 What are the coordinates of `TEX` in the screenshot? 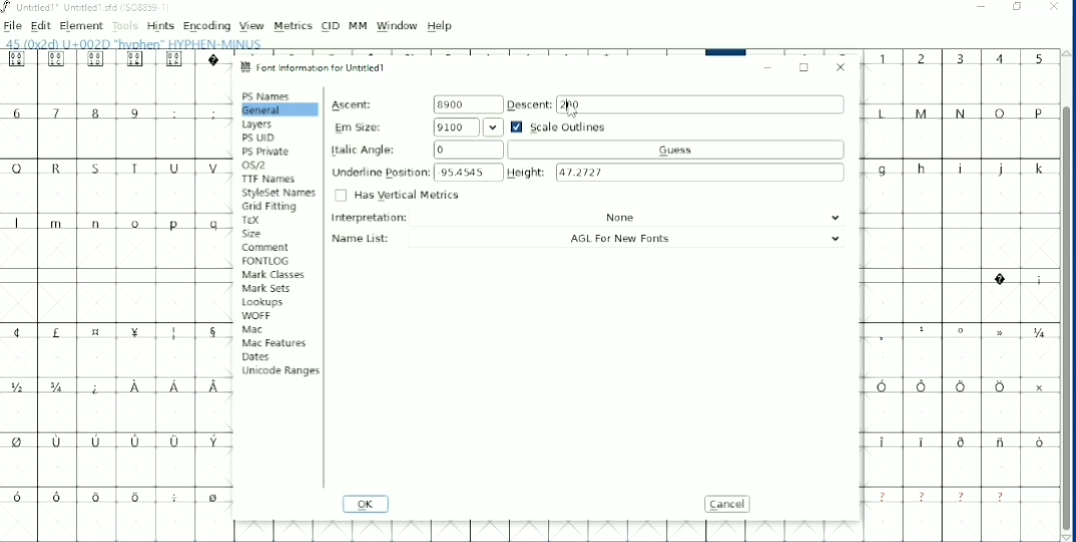 It's located at (252, 220).